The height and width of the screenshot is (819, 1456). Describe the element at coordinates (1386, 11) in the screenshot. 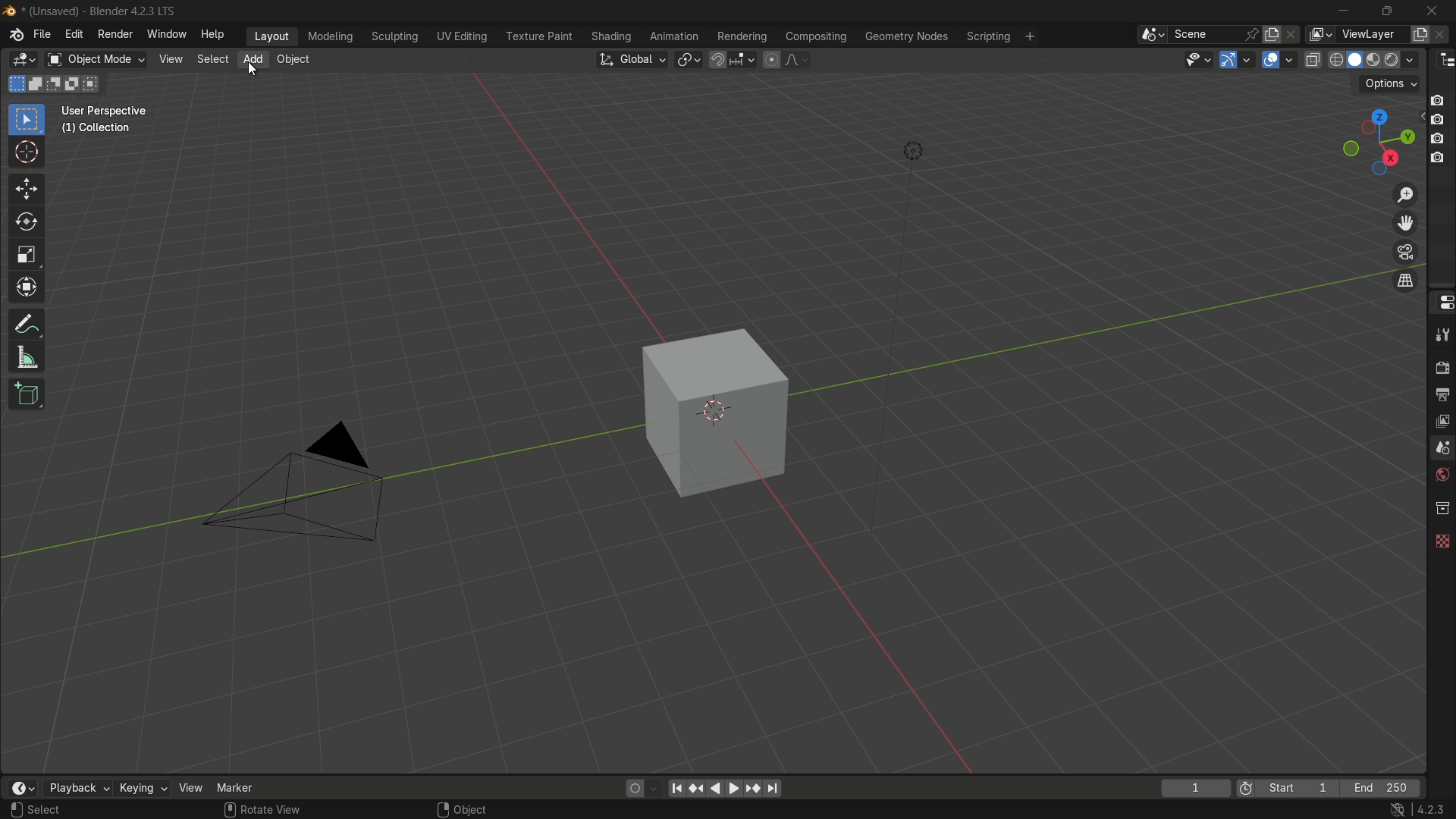

I see `maximize or restore` at that location.